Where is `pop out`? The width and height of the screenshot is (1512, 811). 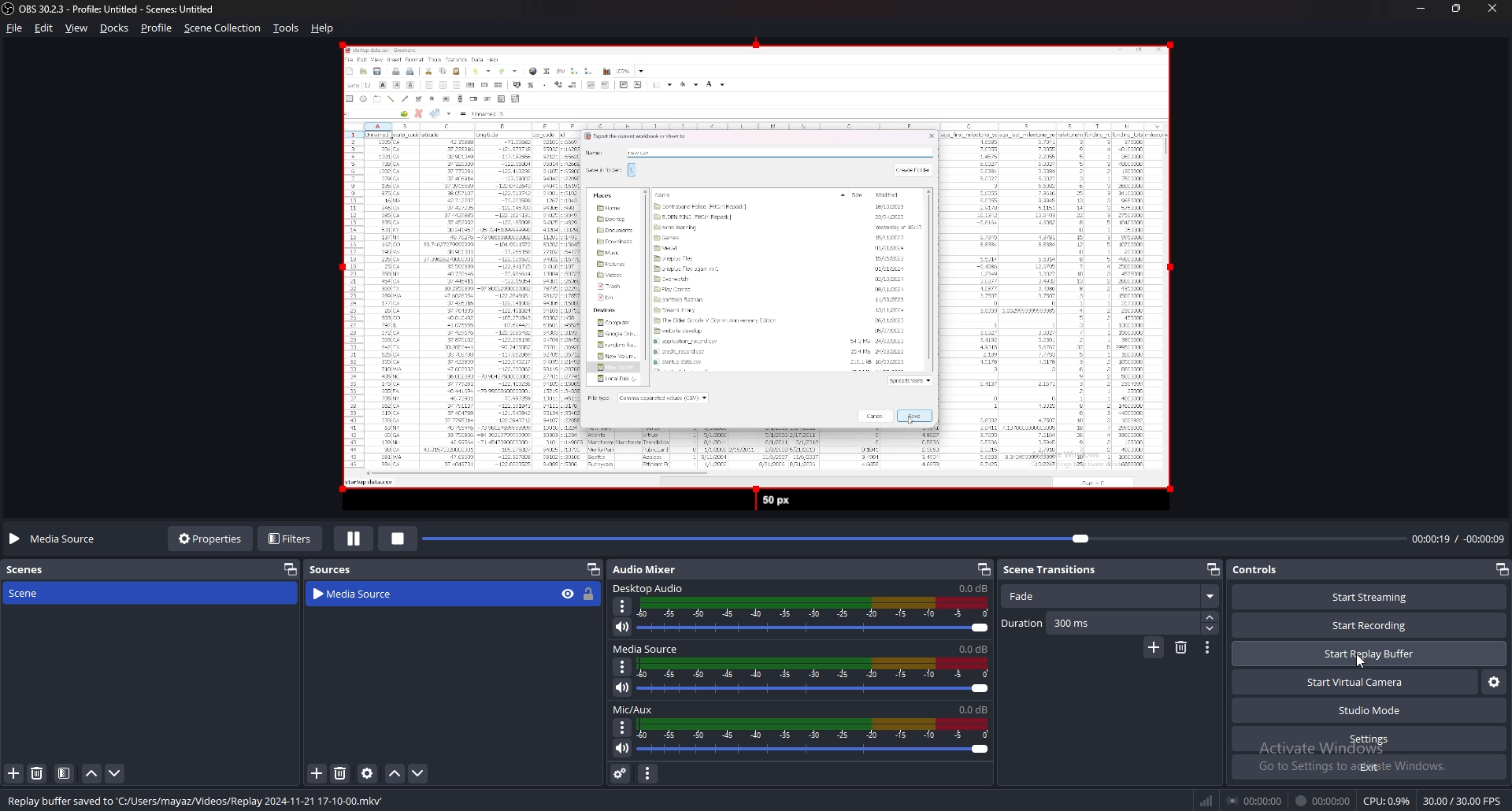 pop out is located at coordinates (982, 568).